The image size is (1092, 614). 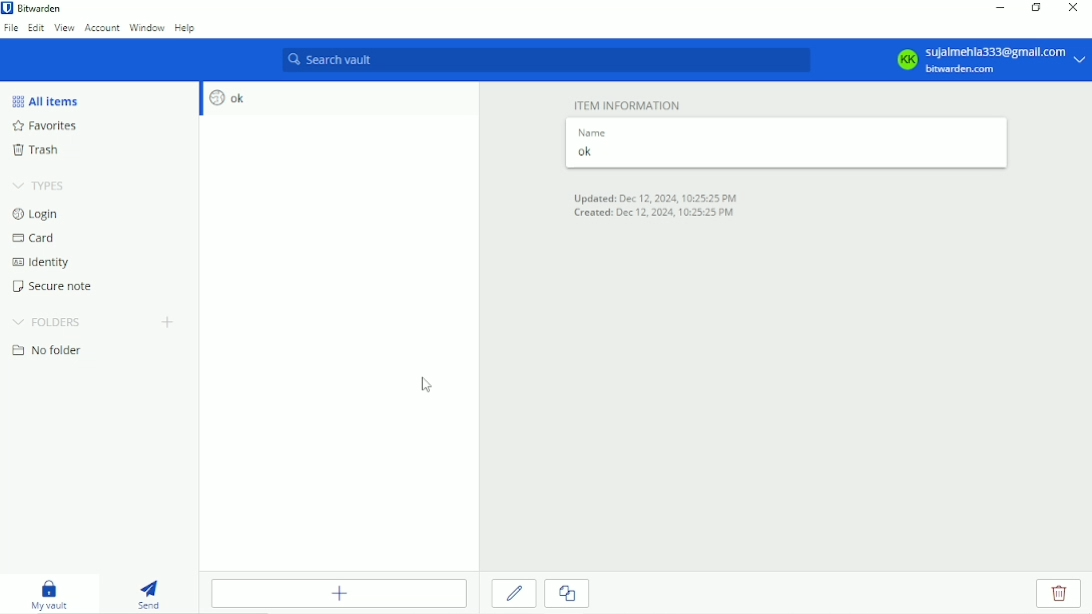 What do you see at coordinates (52, 352) in the screenshot?
I see `No folder` at bounding box center [52, 352].